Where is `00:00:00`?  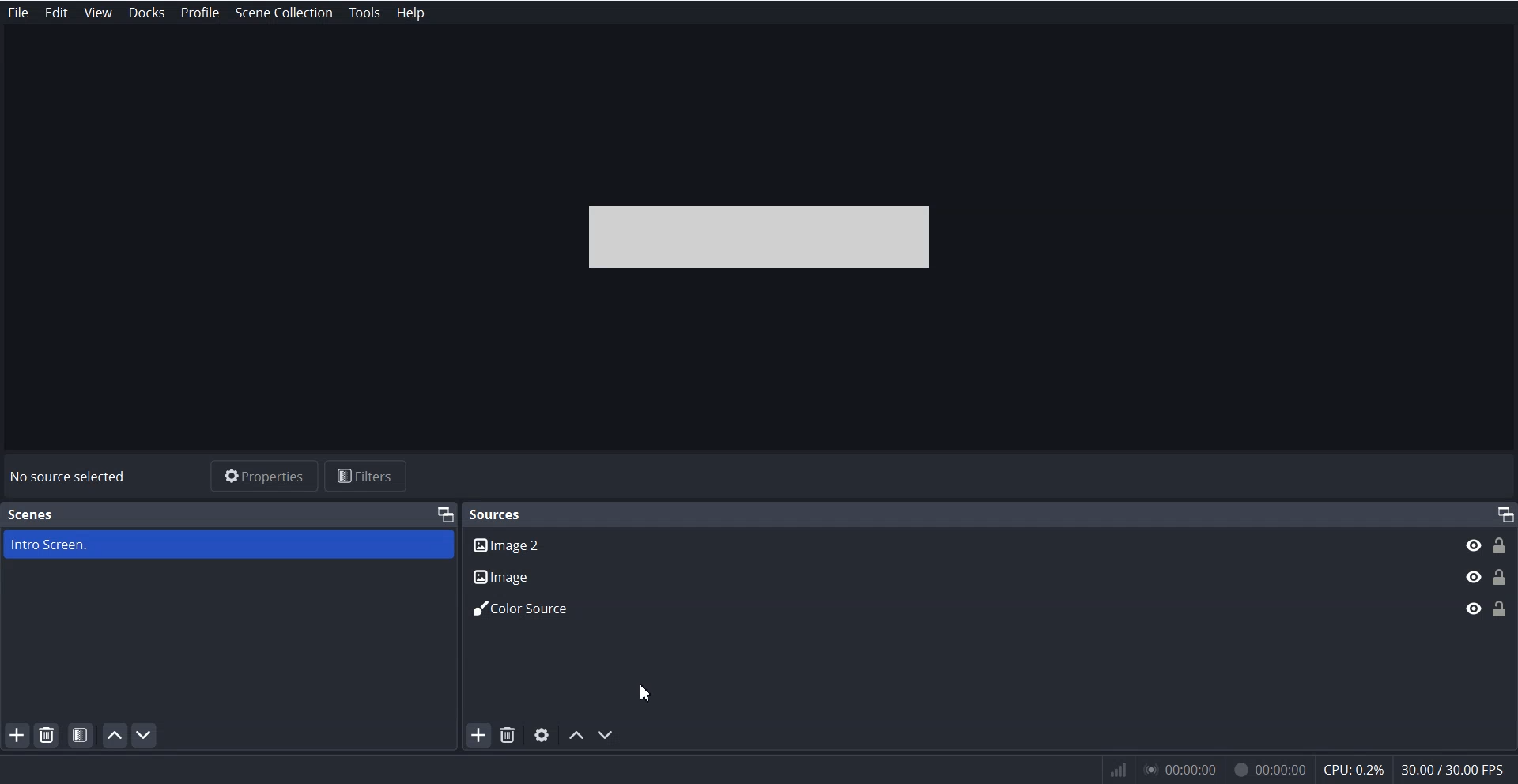
00:00:00 is located at coordinates (1270, 766).